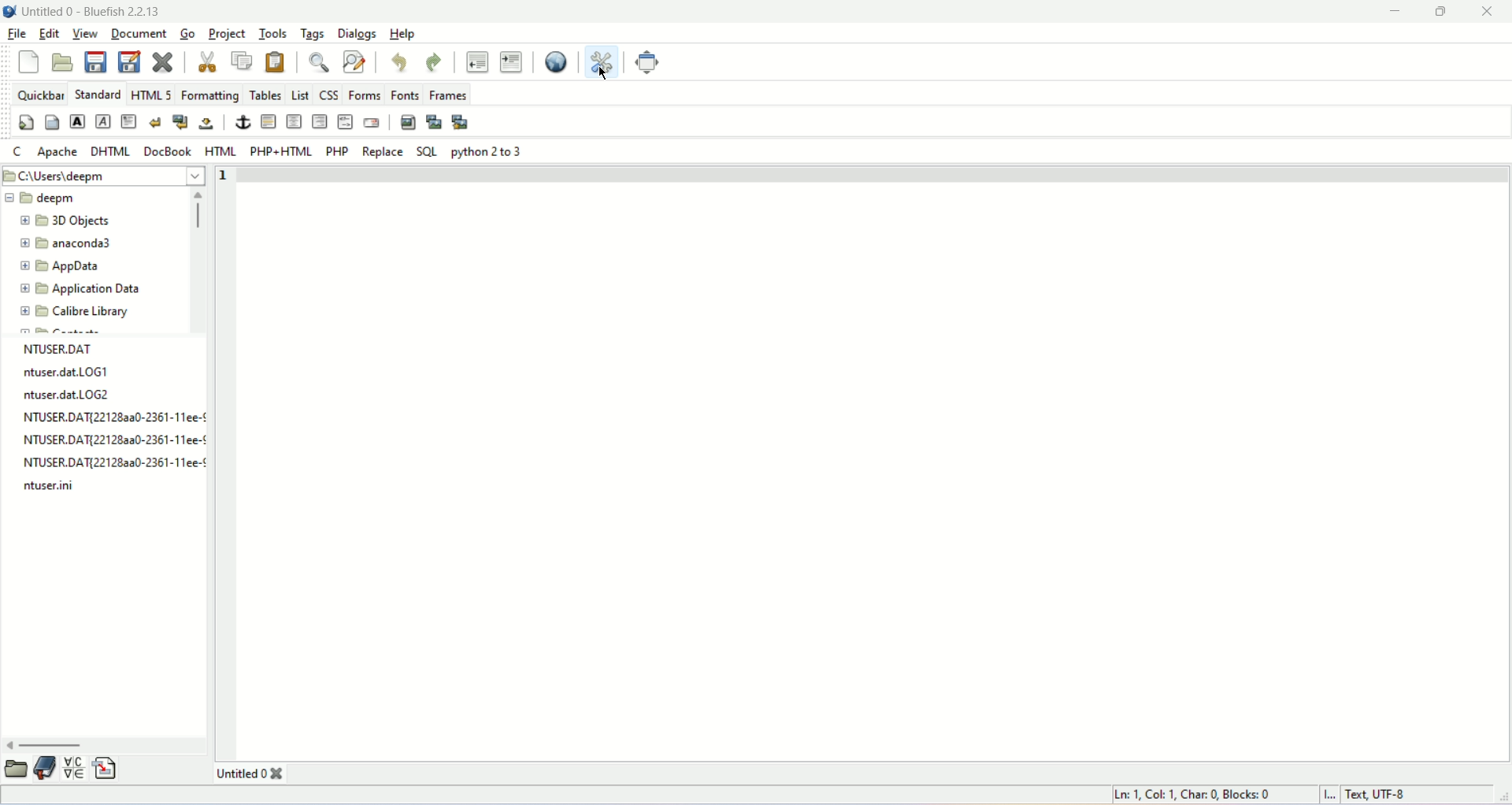  Describe the element at coordinates (61, 374) in the screenshot. I see `ntuser.dat.LOG1` at that location.